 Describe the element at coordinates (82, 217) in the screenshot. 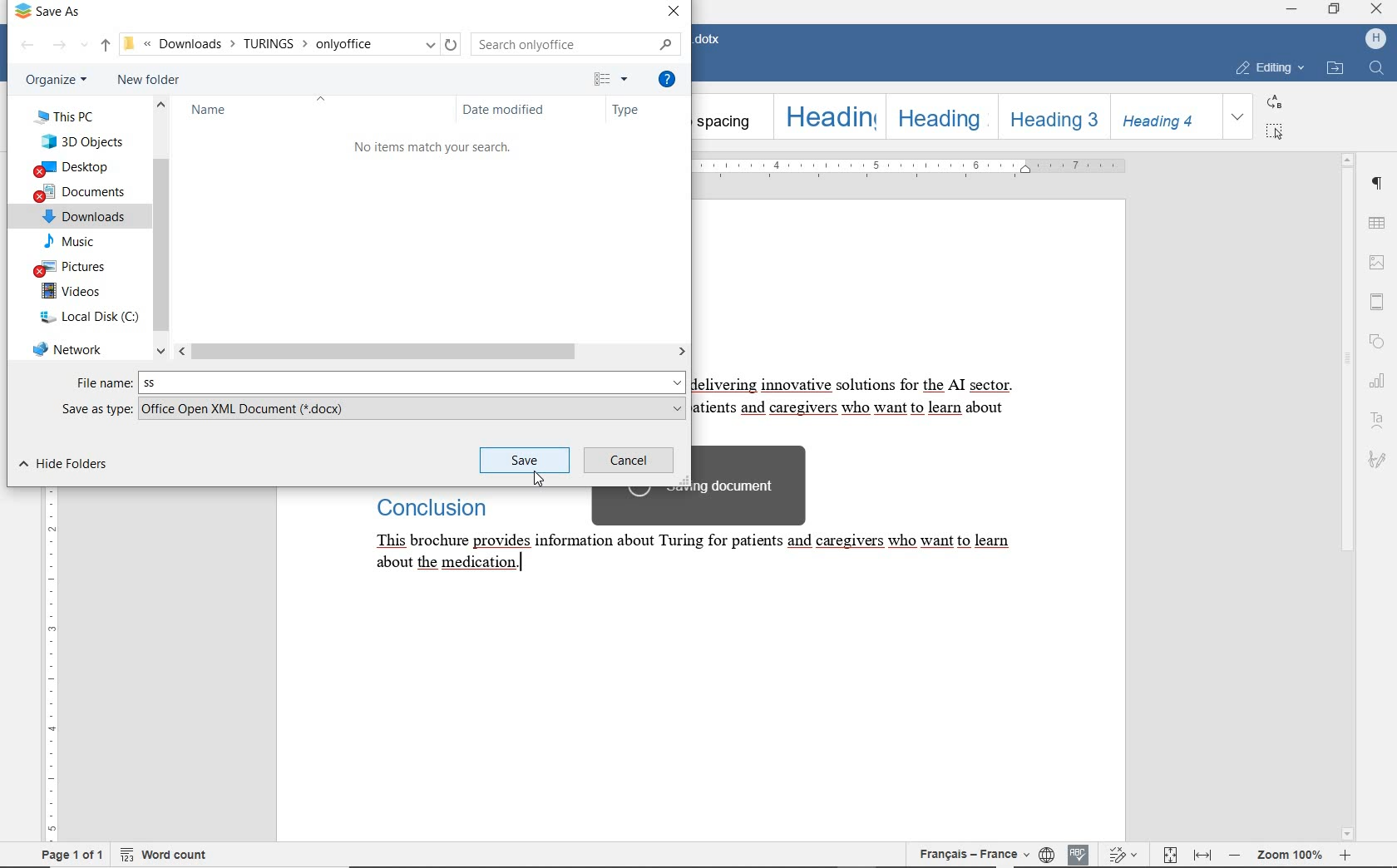

I see `DOWNLOADS` at that location.